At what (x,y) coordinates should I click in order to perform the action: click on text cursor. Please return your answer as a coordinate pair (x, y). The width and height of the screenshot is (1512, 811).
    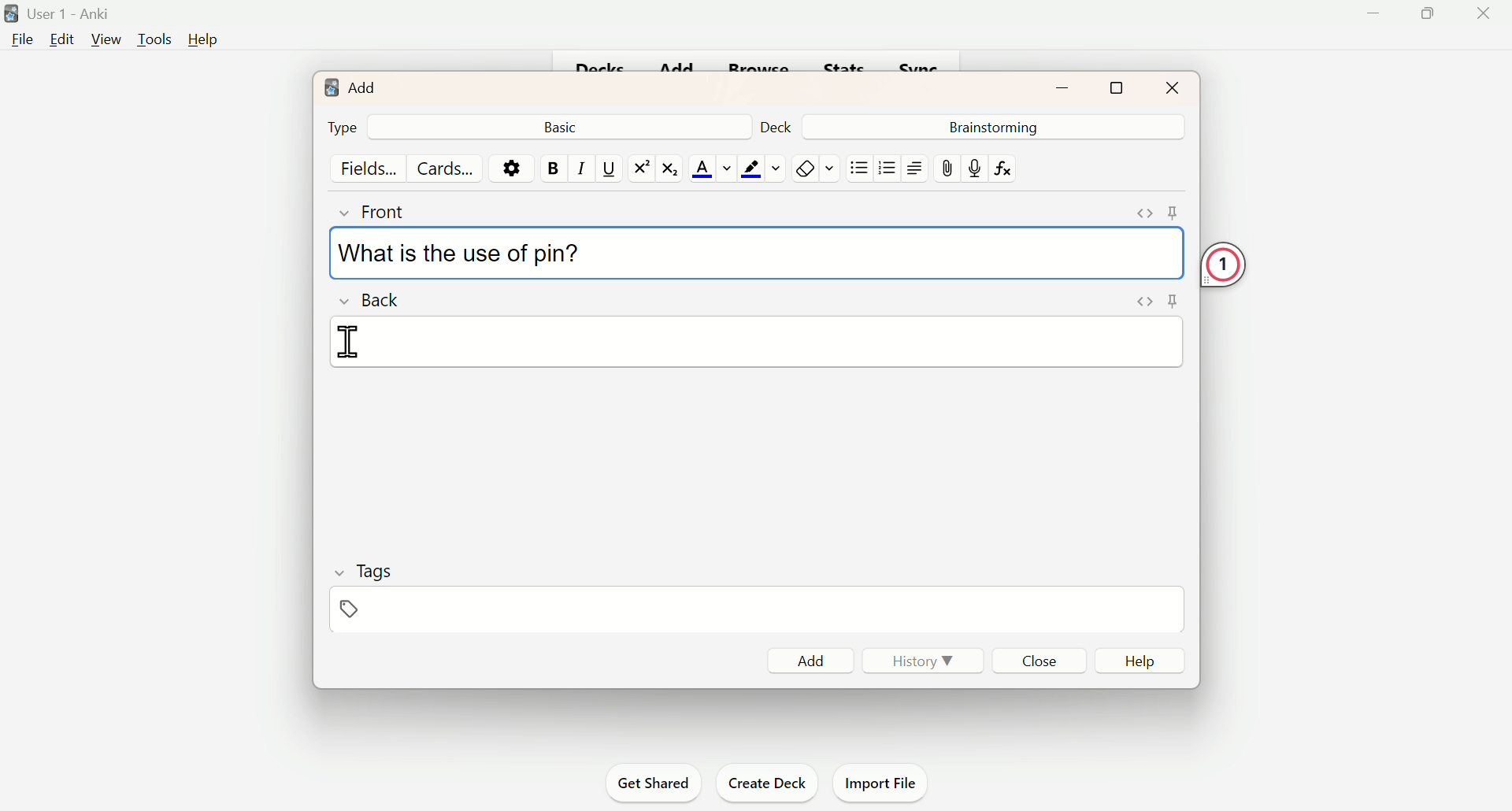
    Looking at the image, I should click on (350, 339).